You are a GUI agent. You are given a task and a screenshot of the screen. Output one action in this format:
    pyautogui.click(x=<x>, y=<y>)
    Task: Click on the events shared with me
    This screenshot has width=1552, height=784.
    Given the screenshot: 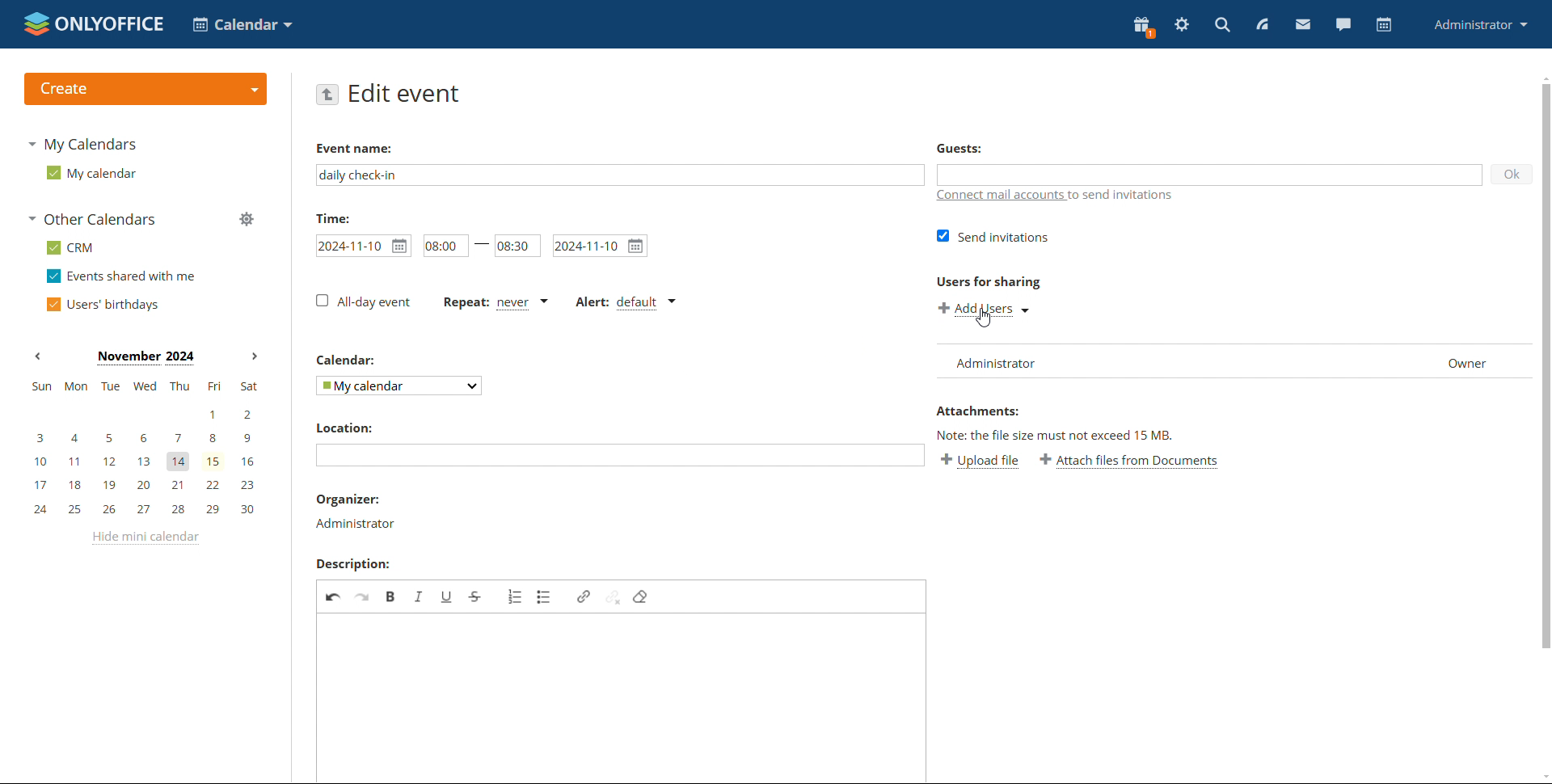 What is the action you would take?
    pyautogui.click(x=121, y=276)
    